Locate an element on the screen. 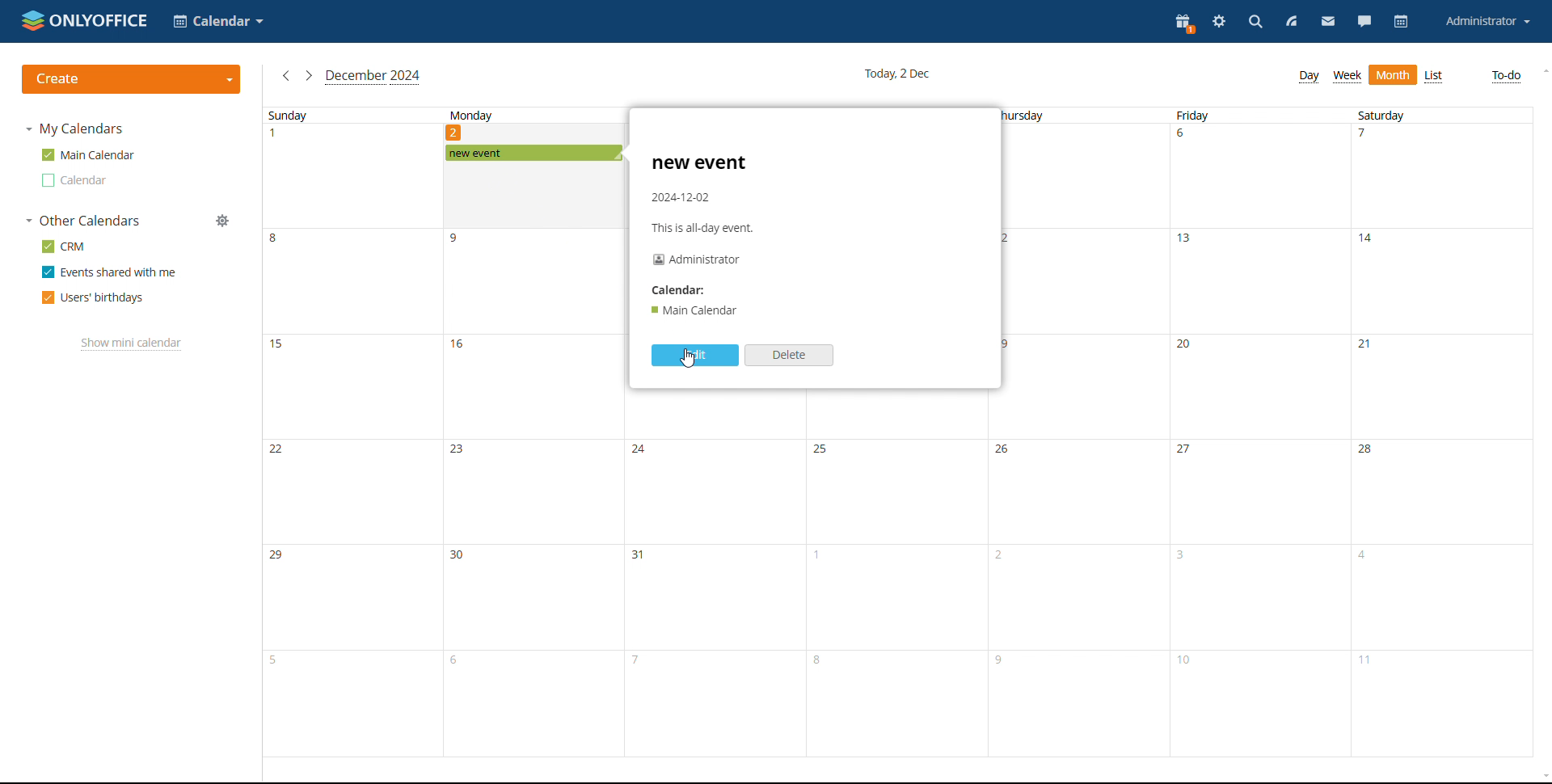 This screenshot has height=784, width=1552. settings is located at coordinates (1221, 23).